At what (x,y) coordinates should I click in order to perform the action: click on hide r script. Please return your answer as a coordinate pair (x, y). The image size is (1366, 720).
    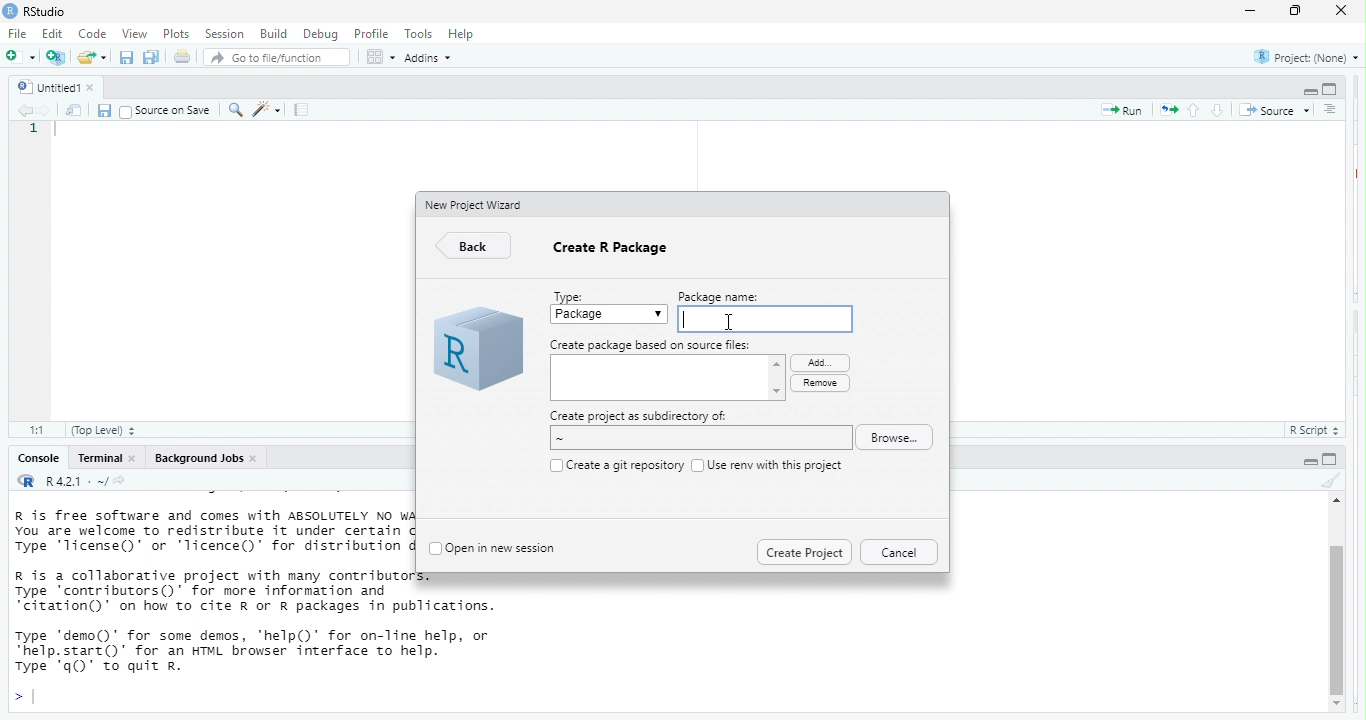
    Looking at the image, I should click on (1307, 91).